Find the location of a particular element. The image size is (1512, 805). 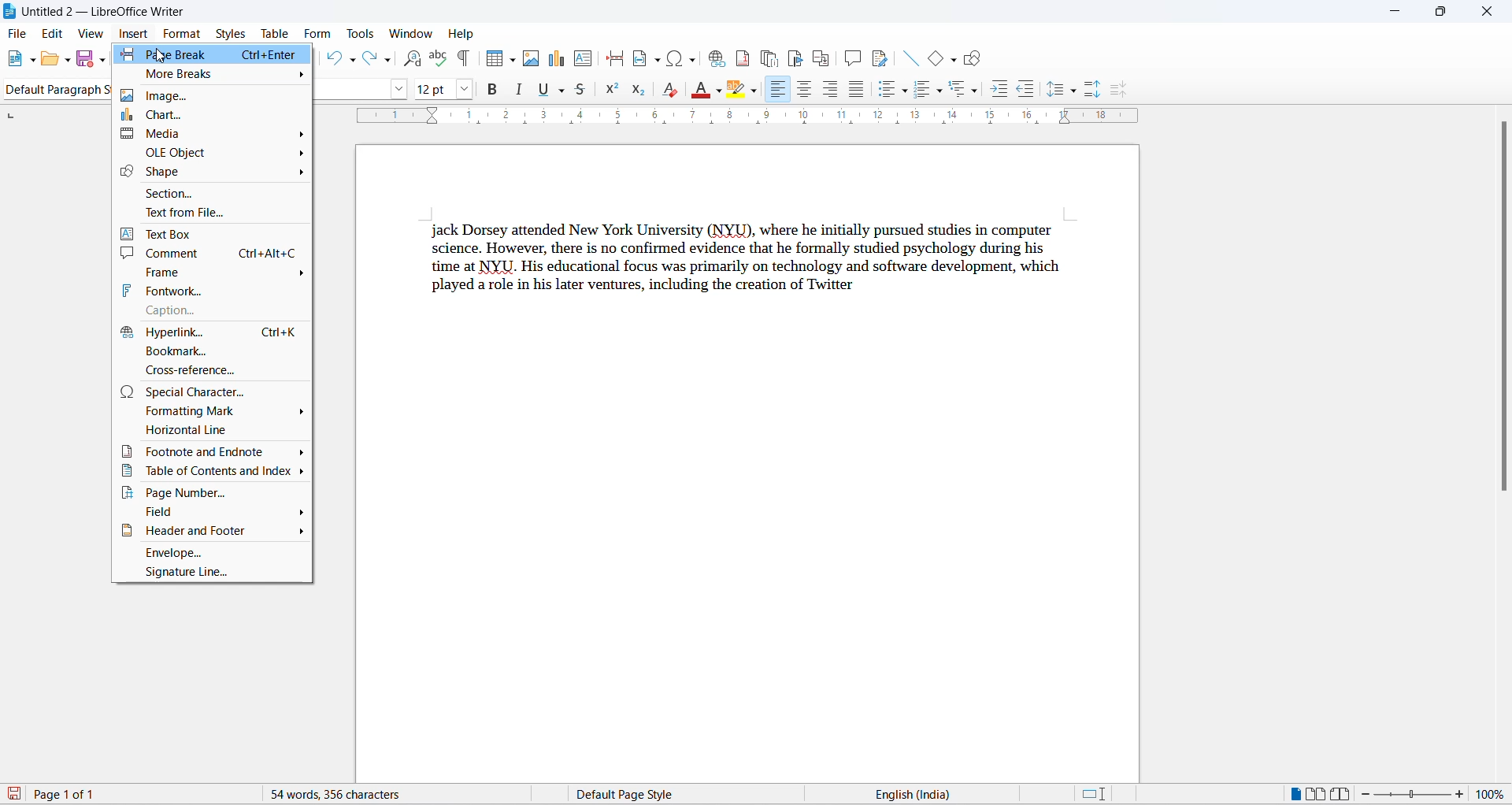

vertical scroll bar is located at coordinates (1503, 316).